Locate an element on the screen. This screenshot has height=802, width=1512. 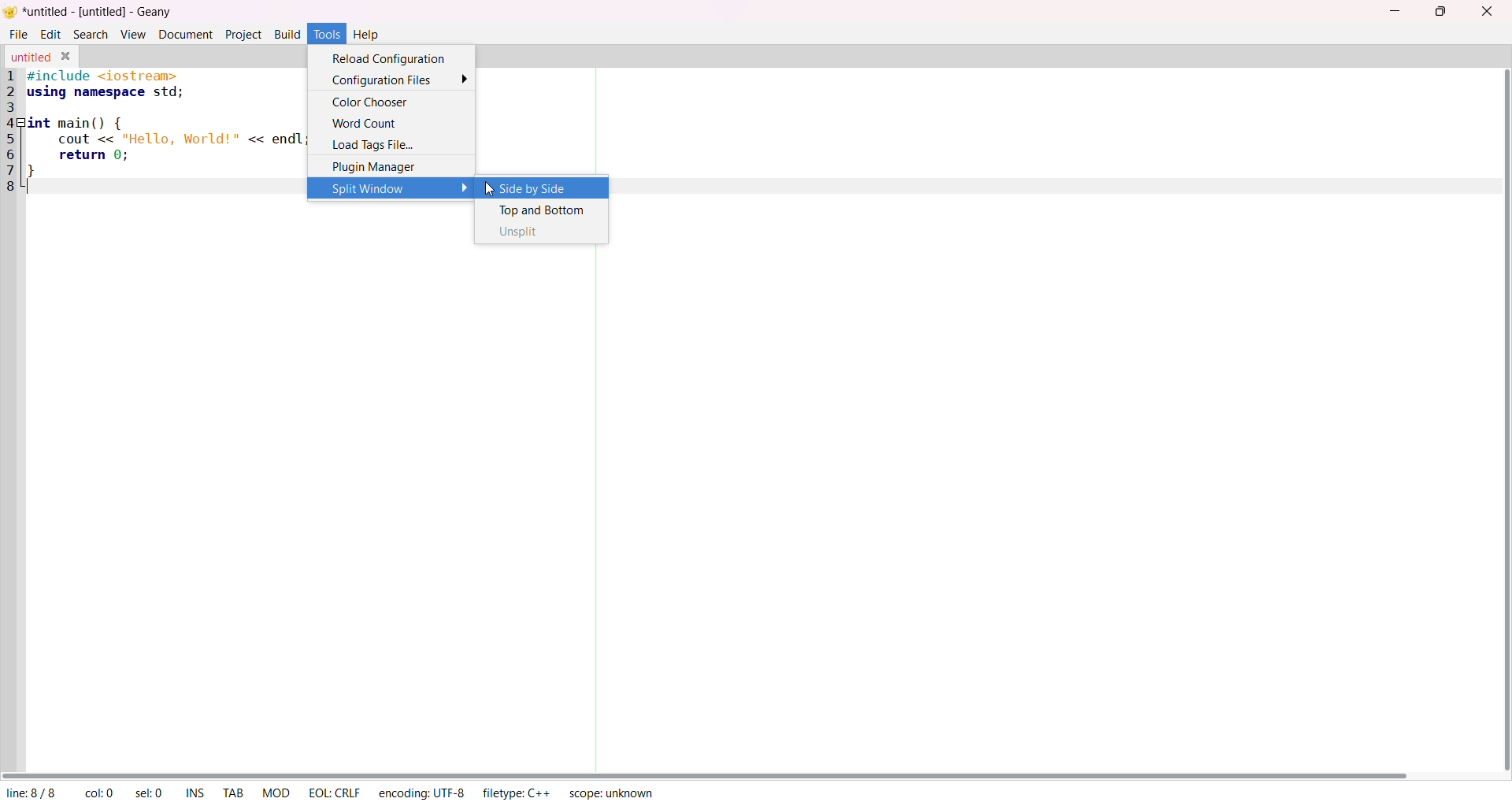
close is located at coordinates (1484, 13).